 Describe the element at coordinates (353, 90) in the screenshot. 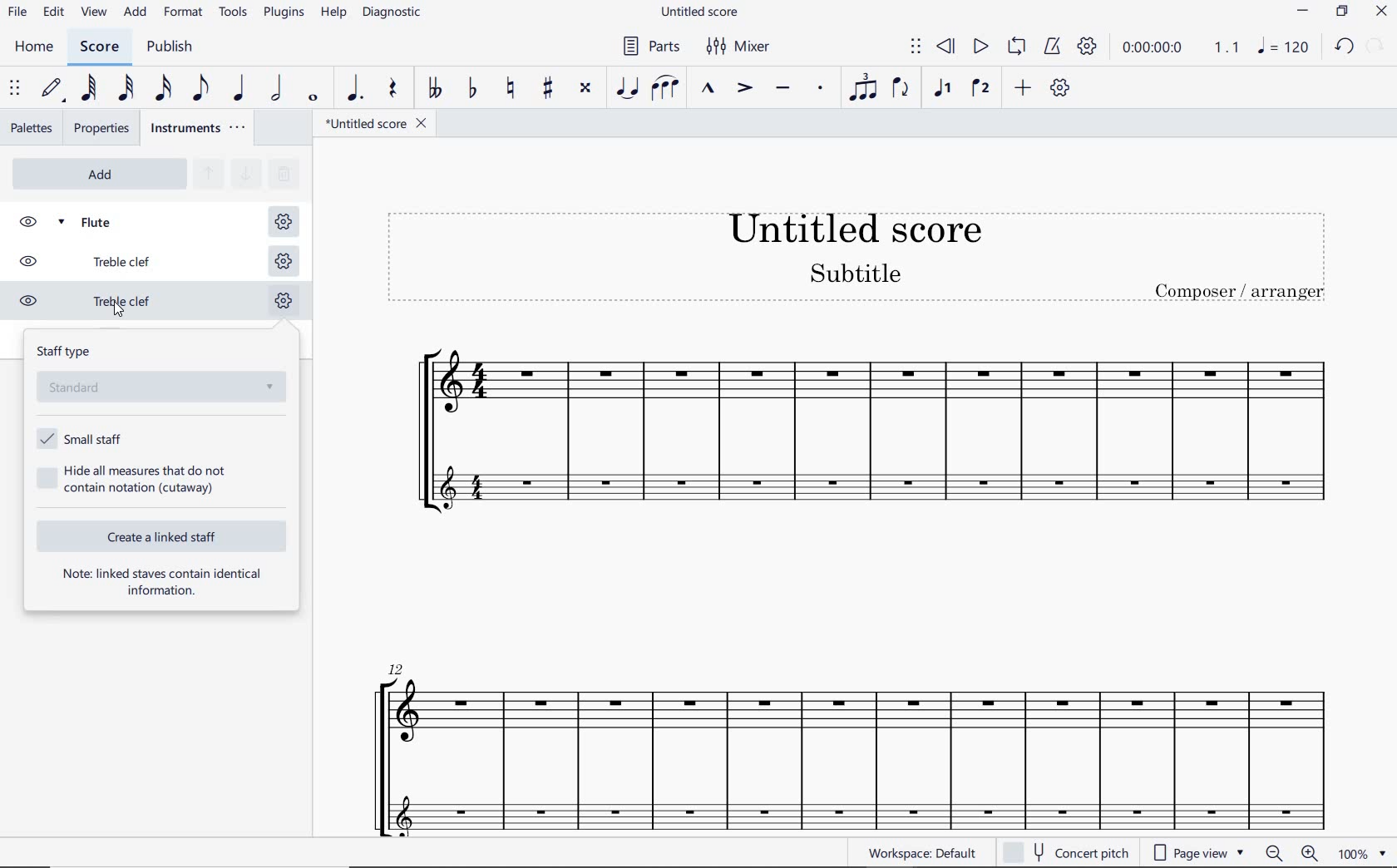

I see `AUGMENTATION DOT` at that location.